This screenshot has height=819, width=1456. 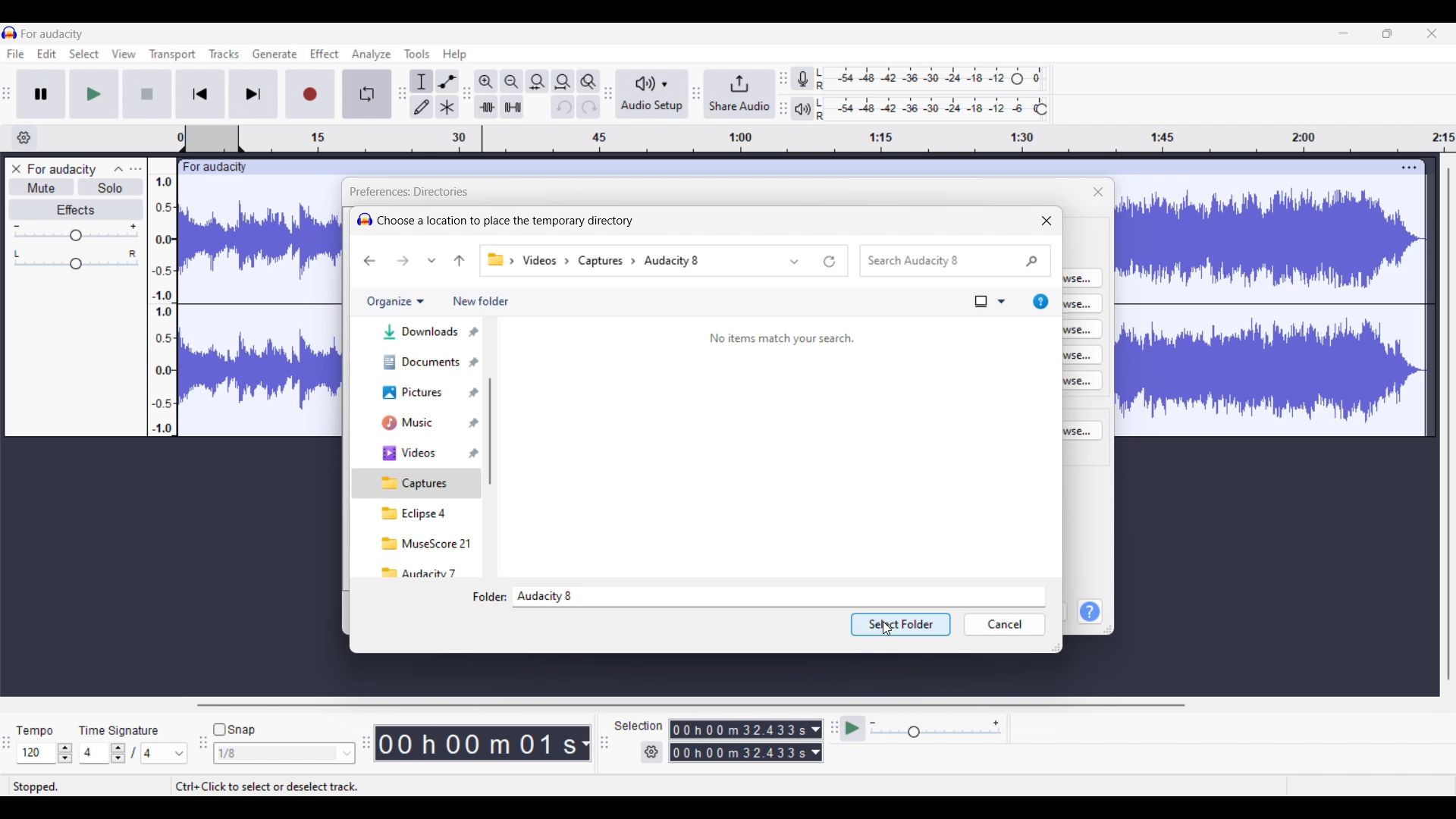 I want to click on Multi-tool, so click(x=447, y=106).